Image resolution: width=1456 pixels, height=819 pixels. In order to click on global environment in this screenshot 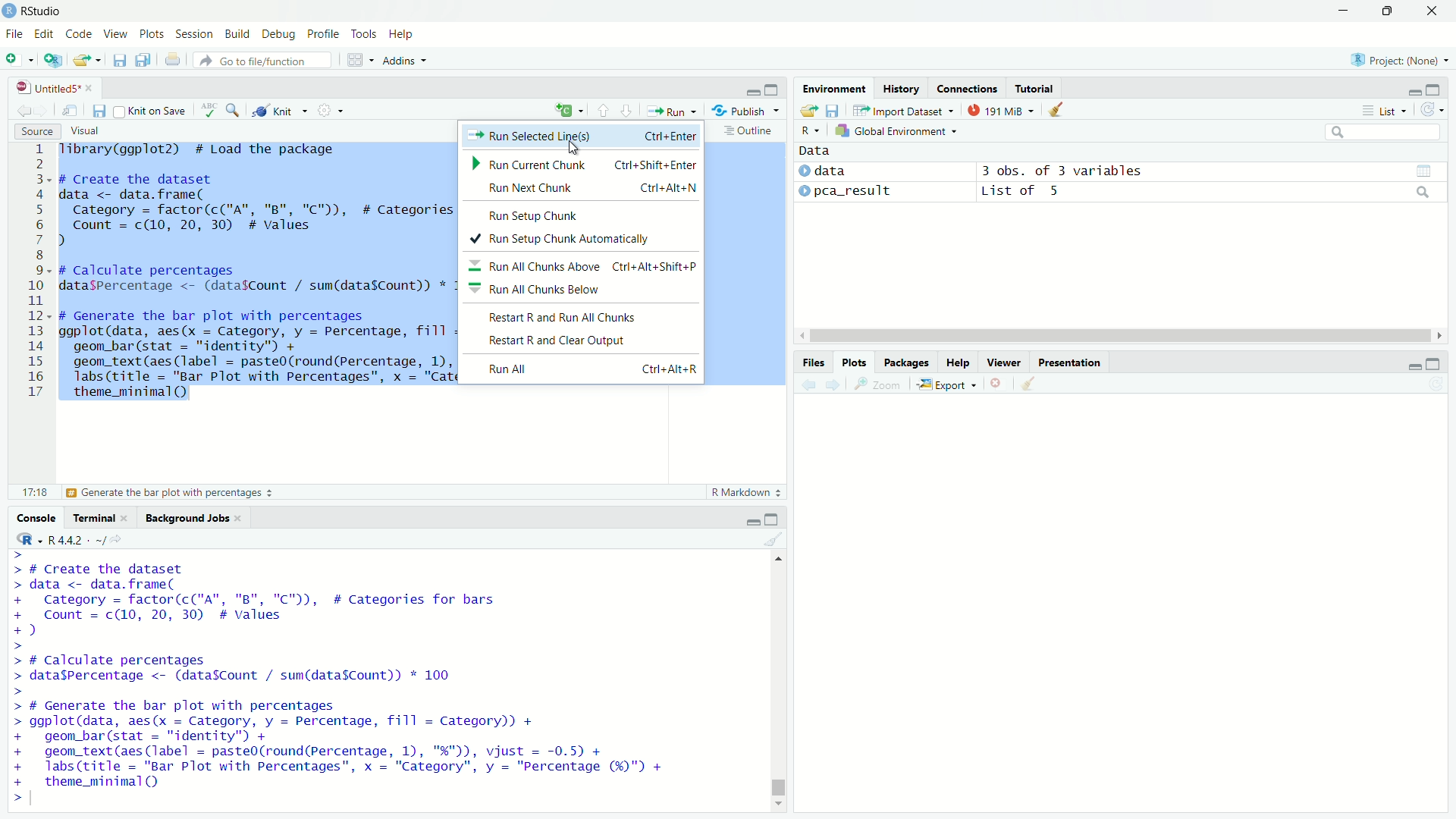, I will do `click(897, 130)`.